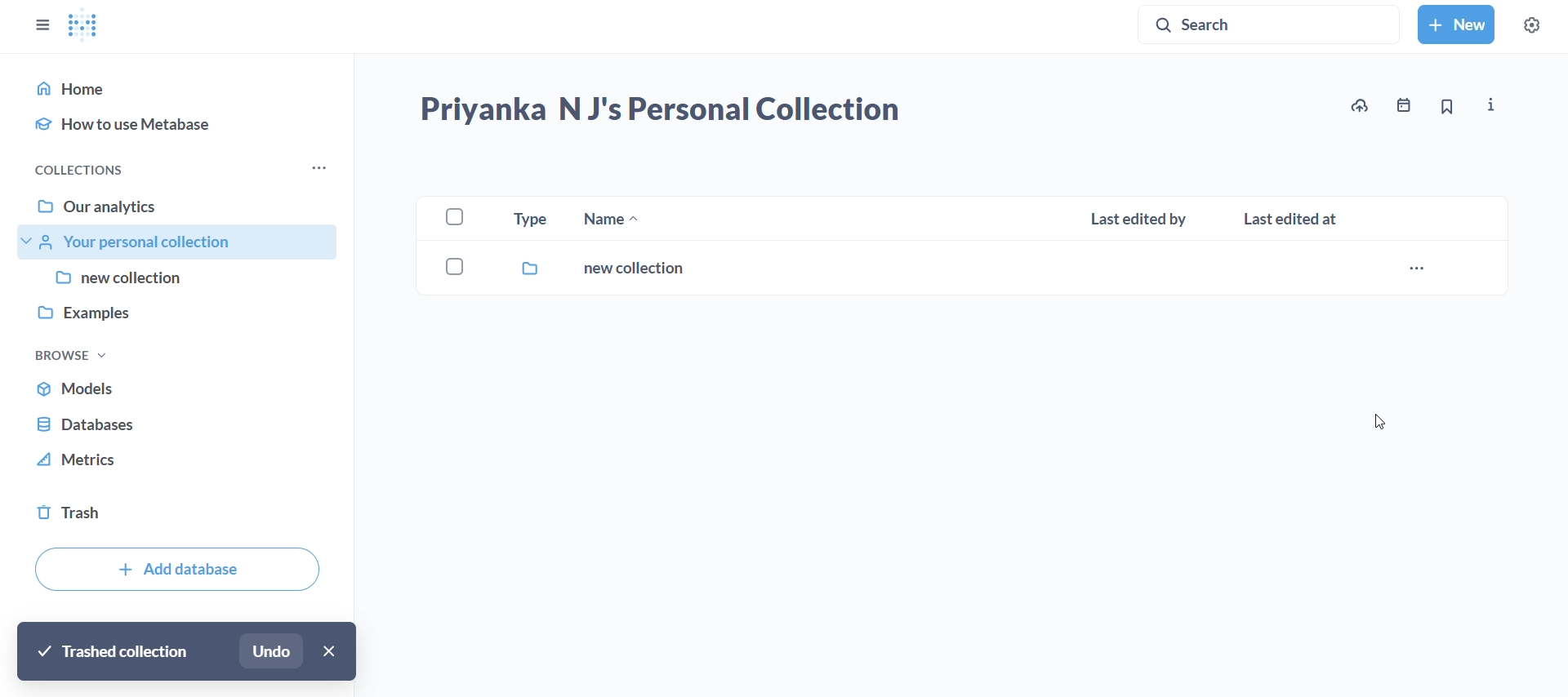  I want to click on logo, so click(86, 27).